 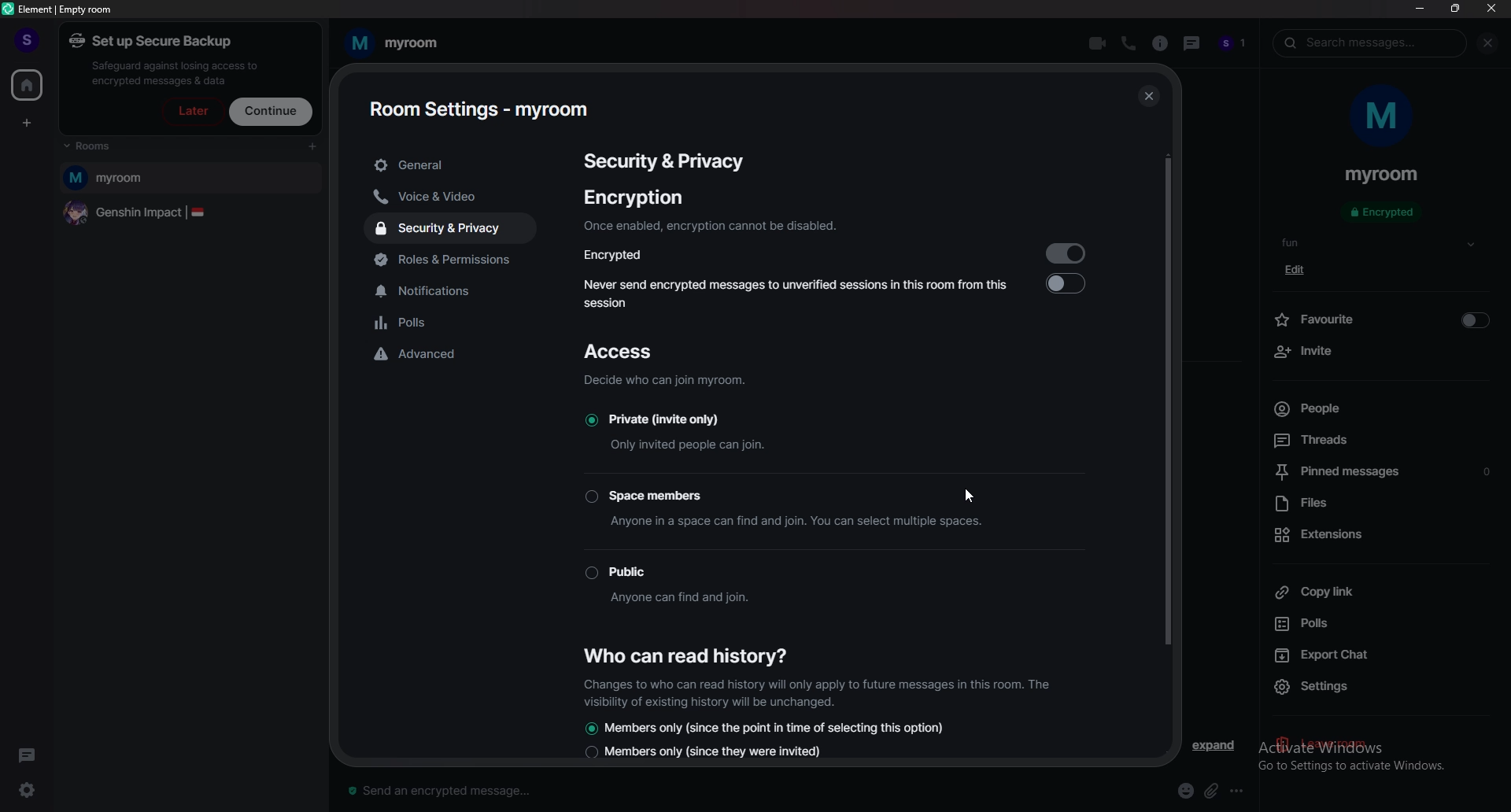 What do you see at coordinates (1073, 283) in the screenshot?
I see `Never send encrypted messages to unverified sessions in this room from this session` at bounding box center [1073, 283].